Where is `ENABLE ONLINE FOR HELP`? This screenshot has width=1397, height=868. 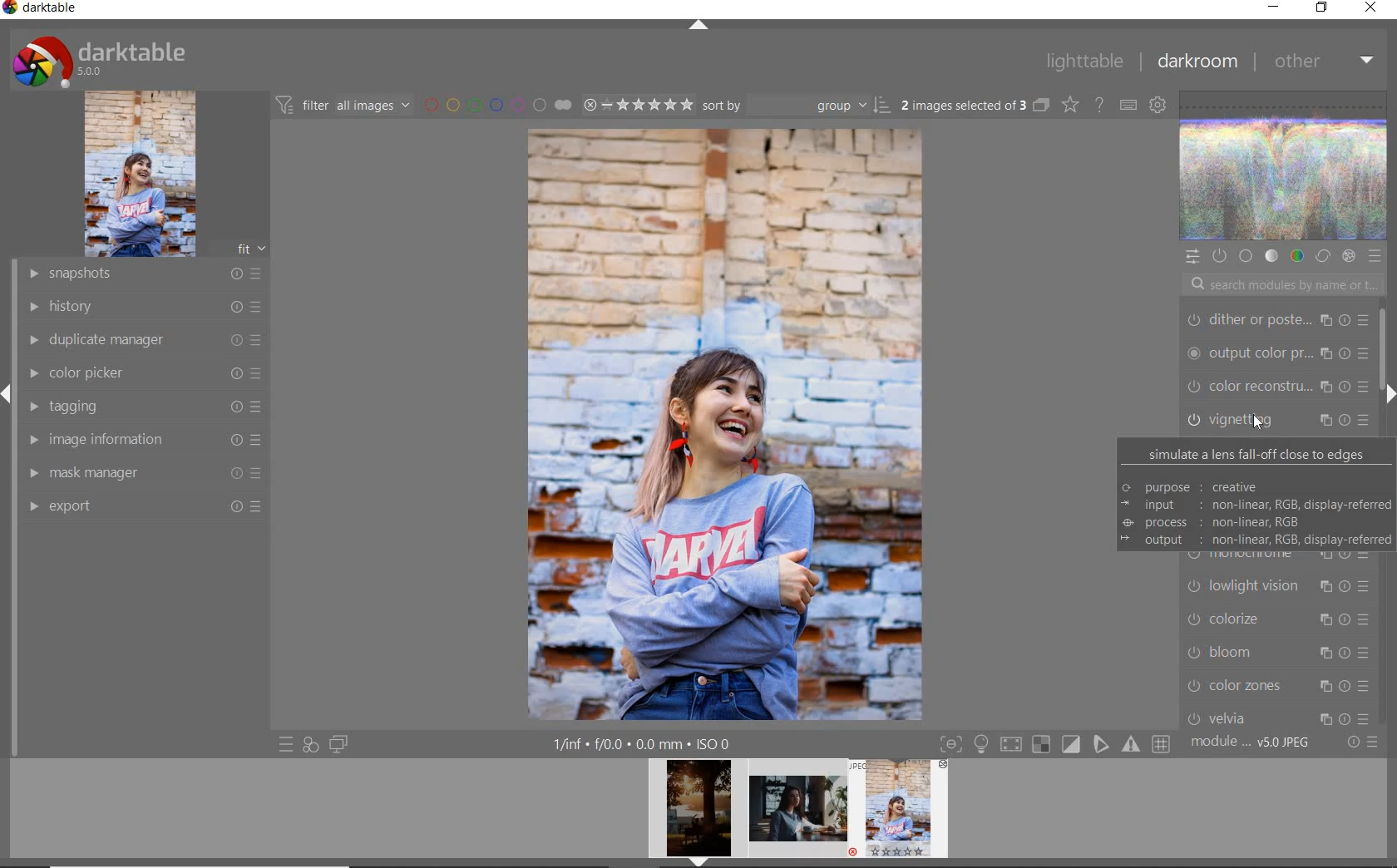 ENABLE ONLINE FOR HELP is located at coordinates (1098, 103).